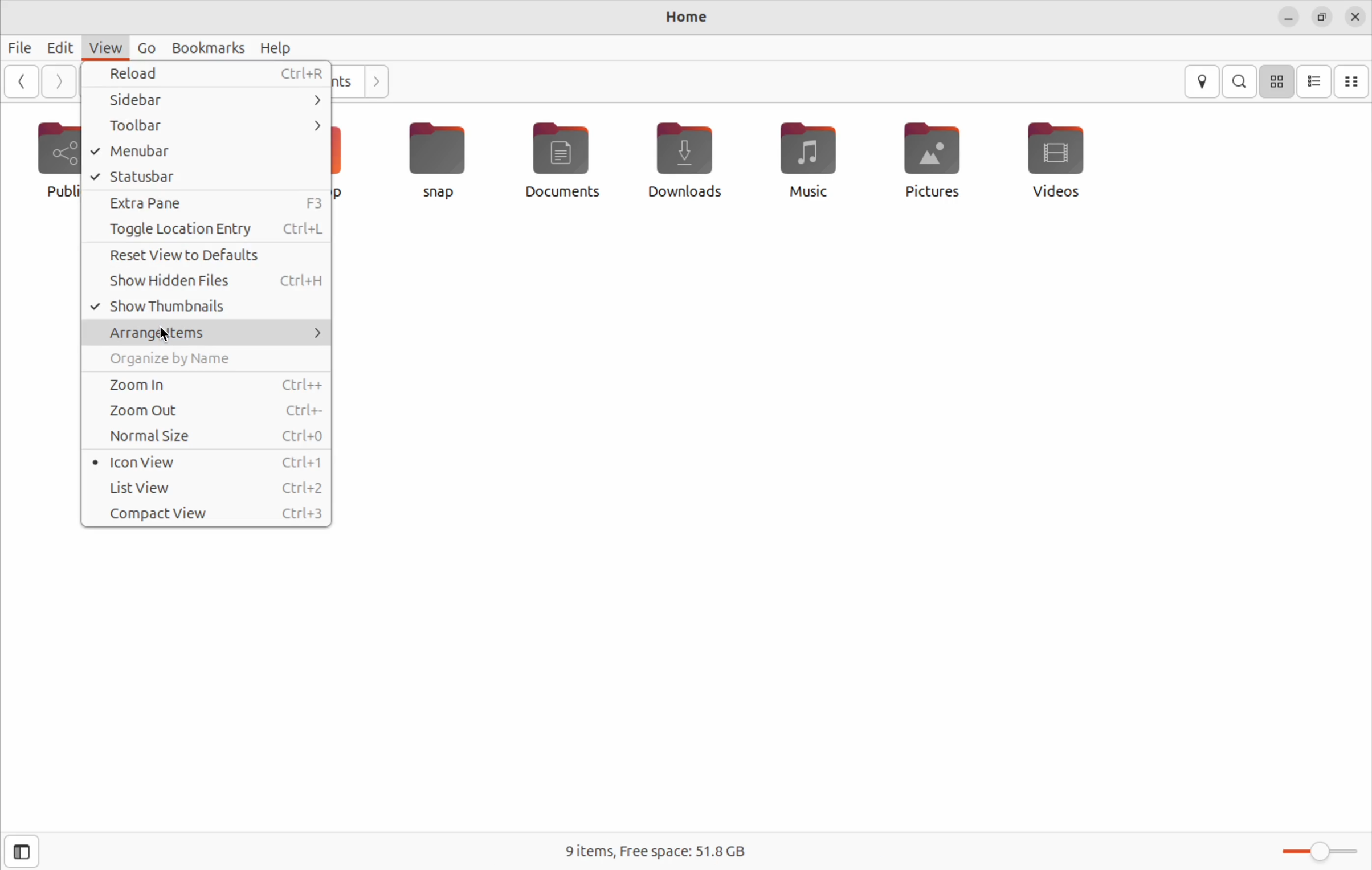  Describe the element at coordinates (1277, 80) in the screenshot. I see `icon view` at that location.